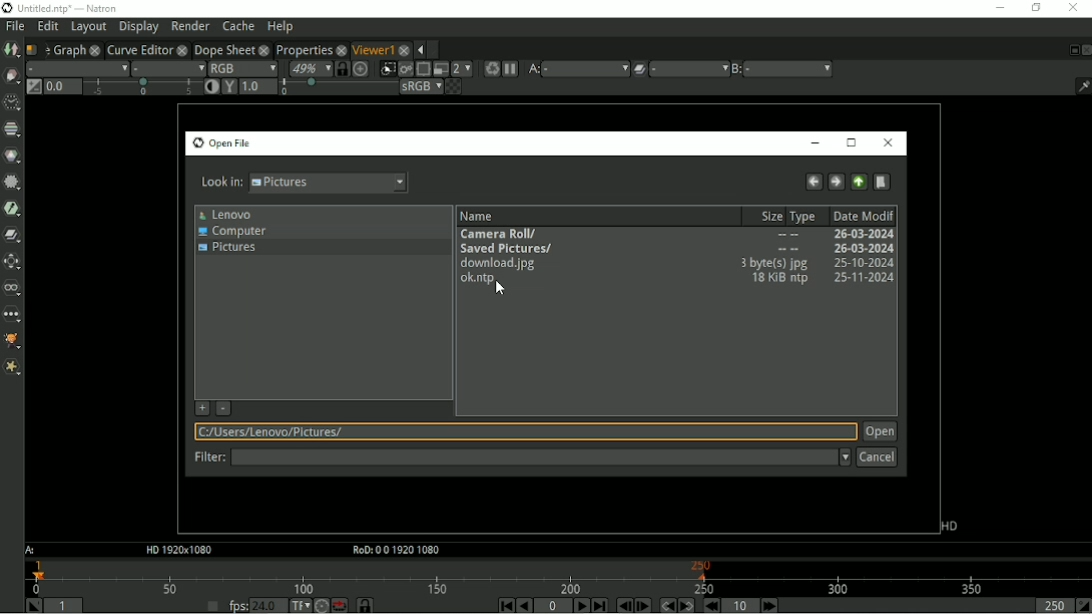  What do you see at coordinates (501, 289) in the screenshot?
I see `cursor` at bounding box center [501, 289].